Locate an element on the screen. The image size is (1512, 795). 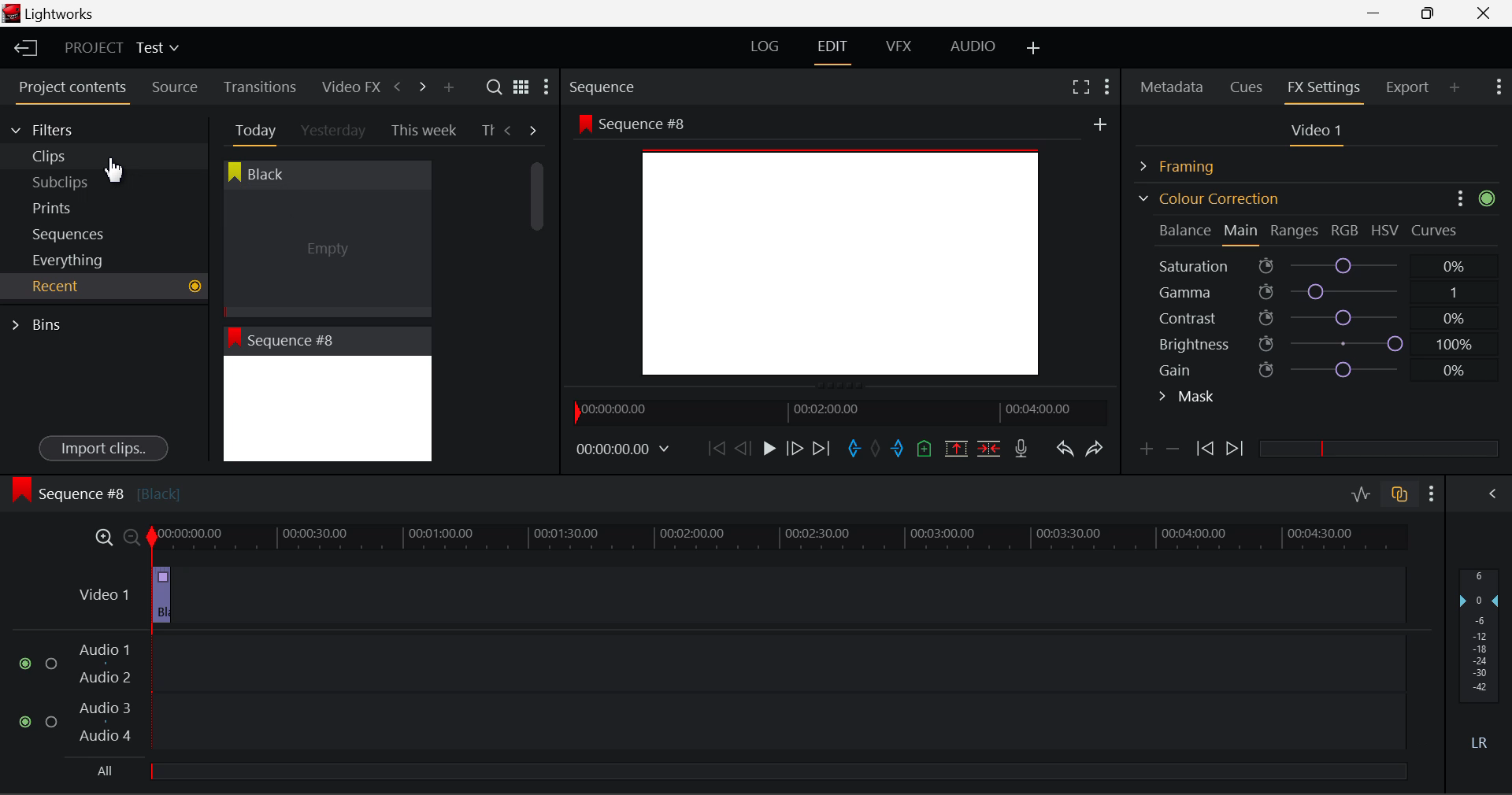
Window Title is located at coordinates (49, 15).